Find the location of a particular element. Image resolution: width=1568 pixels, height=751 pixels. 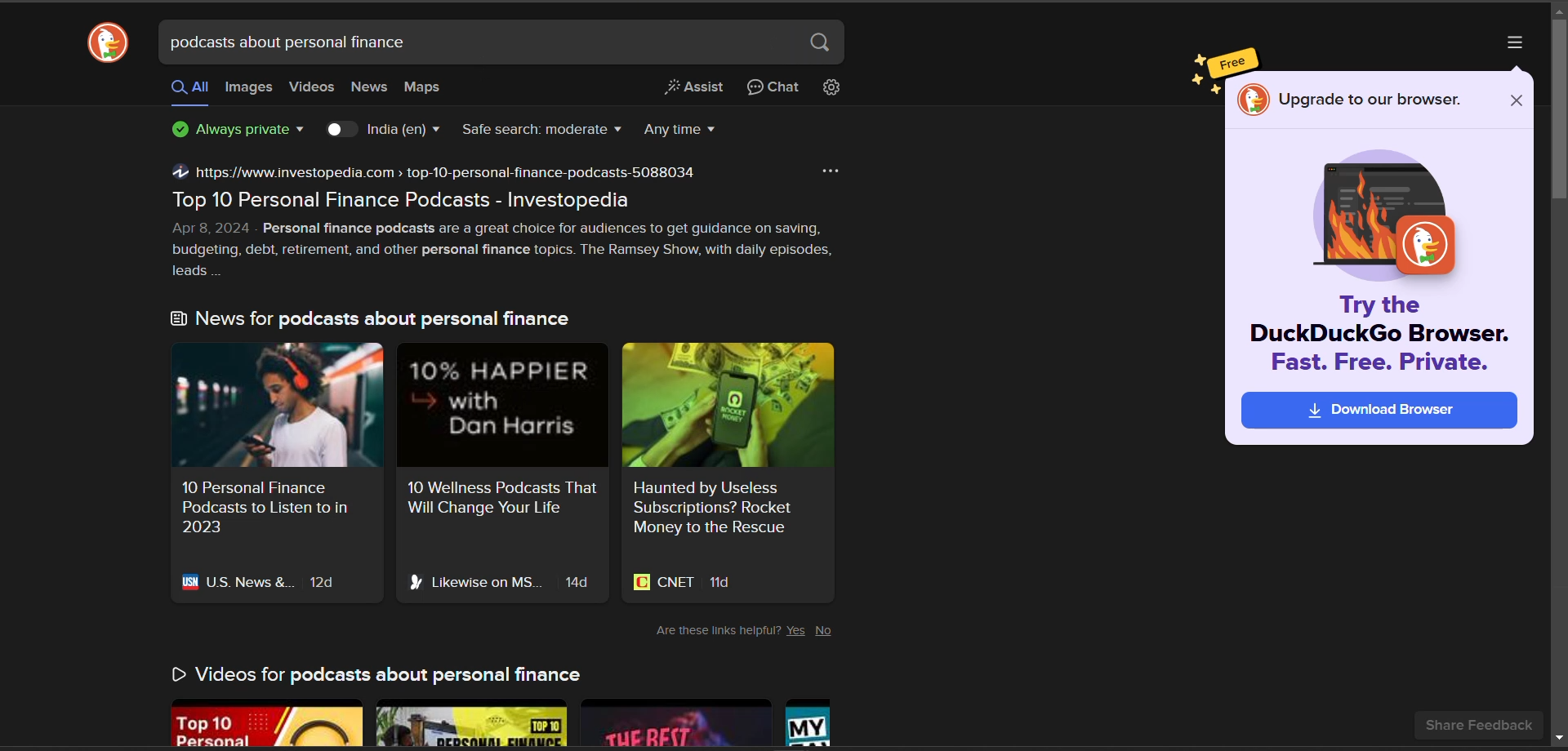

change search settings is located at coordinates (831, 90).